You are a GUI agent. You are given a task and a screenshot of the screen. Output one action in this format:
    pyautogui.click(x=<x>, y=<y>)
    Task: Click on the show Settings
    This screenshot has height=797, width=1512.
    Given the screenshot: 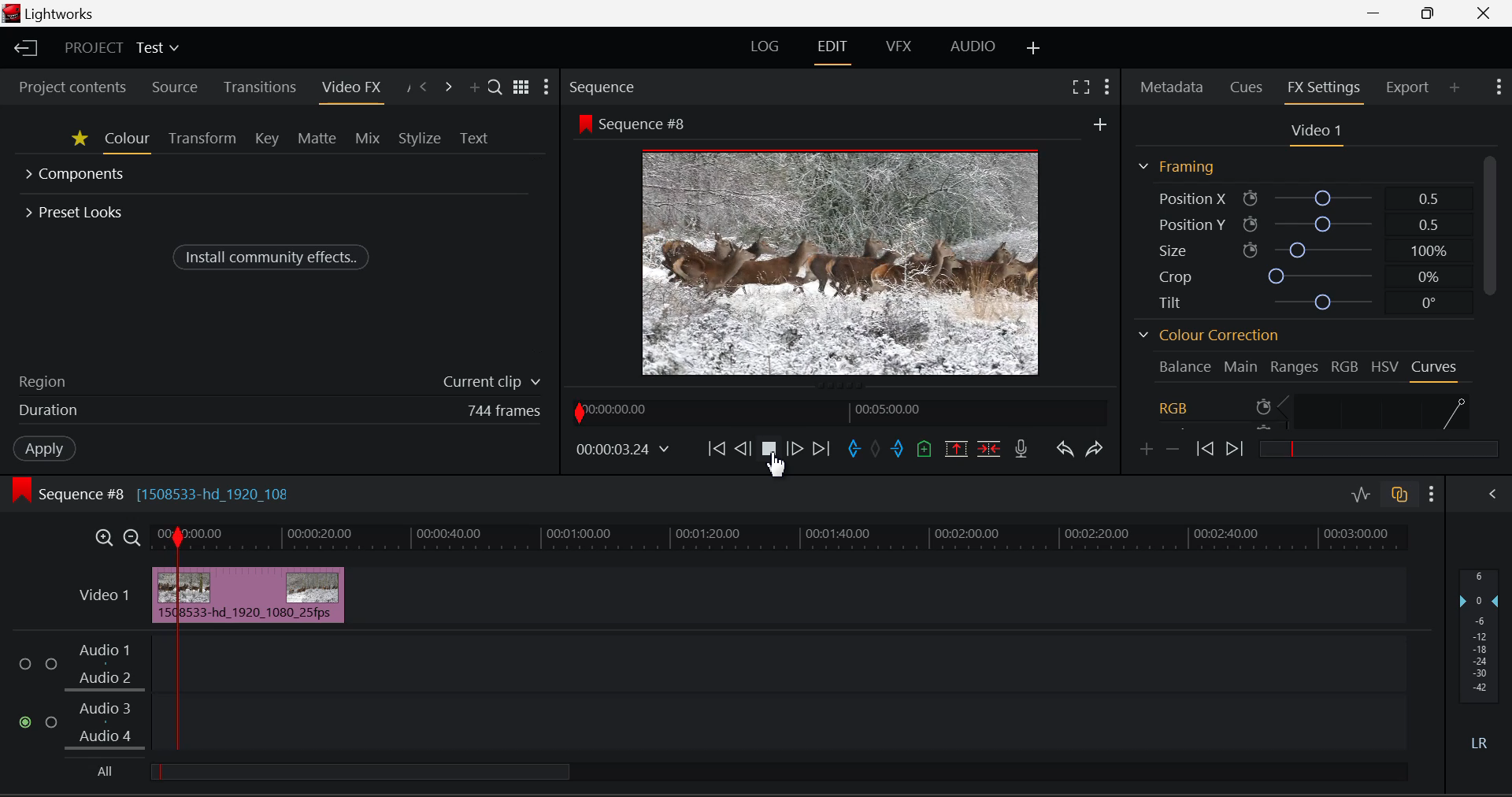 What is the action you would take?
    pyautogui.click(x=1432, y=495)
    